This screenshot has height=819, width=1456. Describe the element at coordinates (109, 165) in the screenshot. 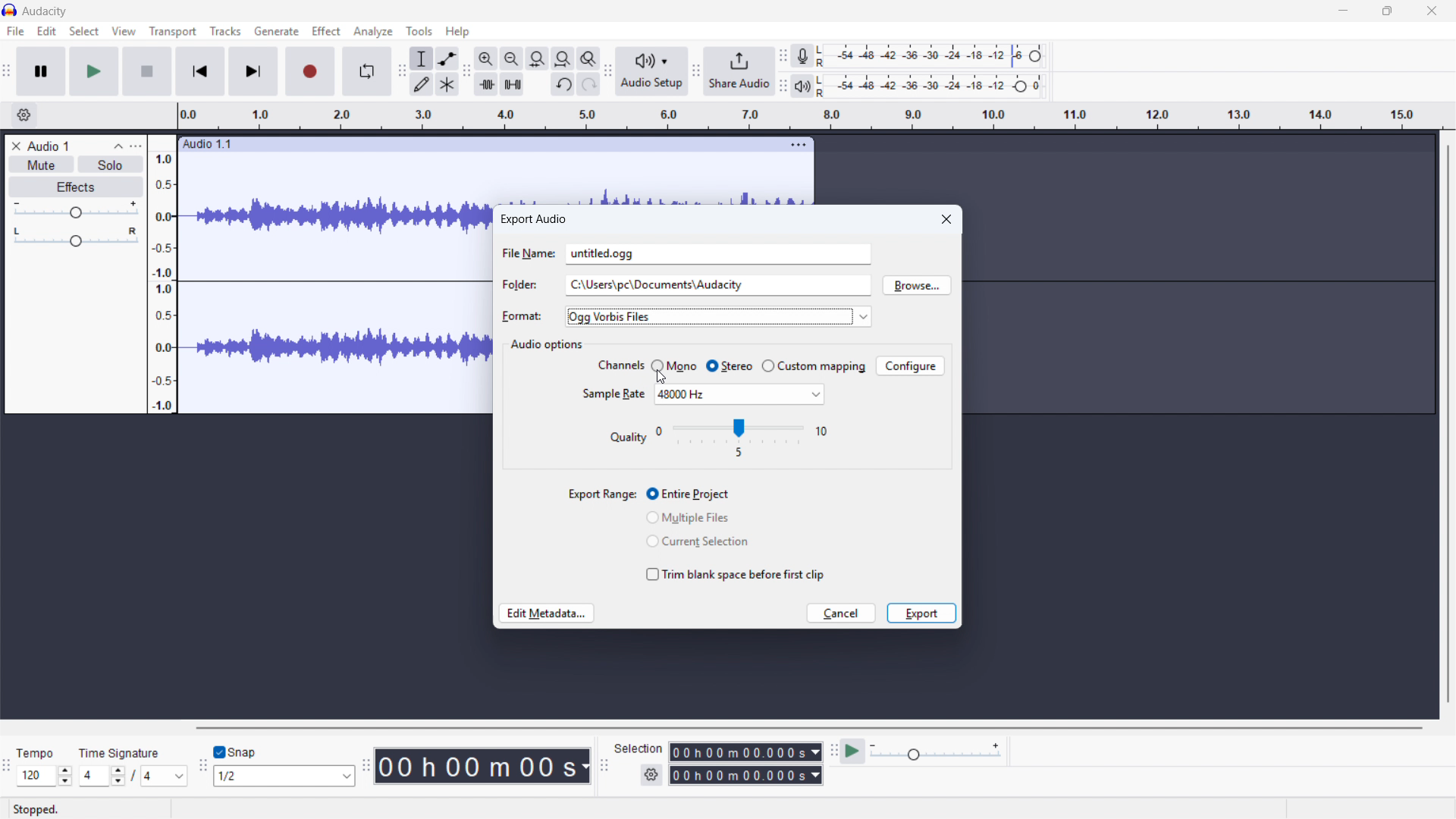

I see `Solo ` at that location.